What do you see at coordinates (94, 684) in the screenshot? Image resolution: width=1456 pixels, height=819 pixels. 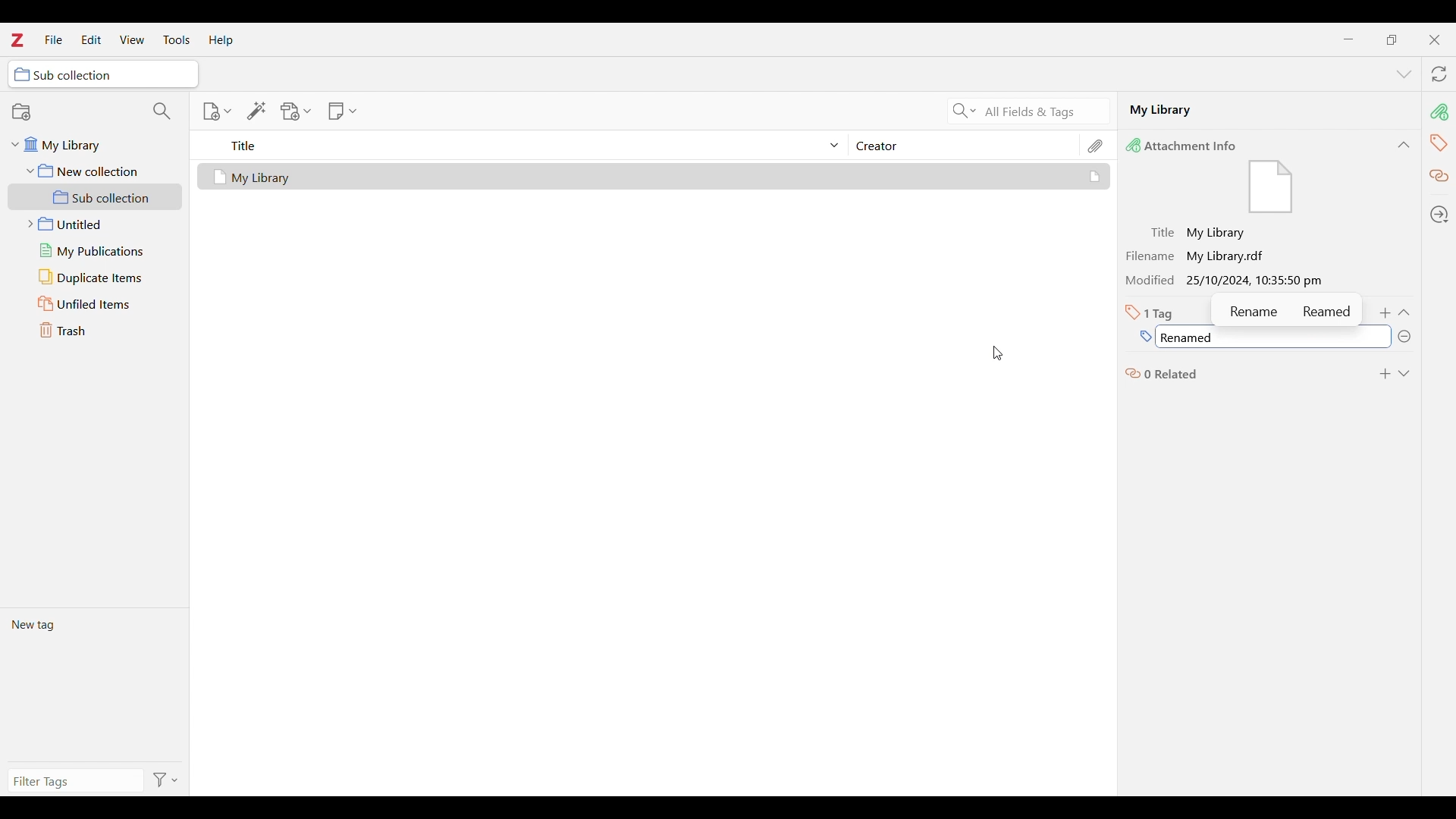 I see `Current tags` at bounding box center [94, 684].